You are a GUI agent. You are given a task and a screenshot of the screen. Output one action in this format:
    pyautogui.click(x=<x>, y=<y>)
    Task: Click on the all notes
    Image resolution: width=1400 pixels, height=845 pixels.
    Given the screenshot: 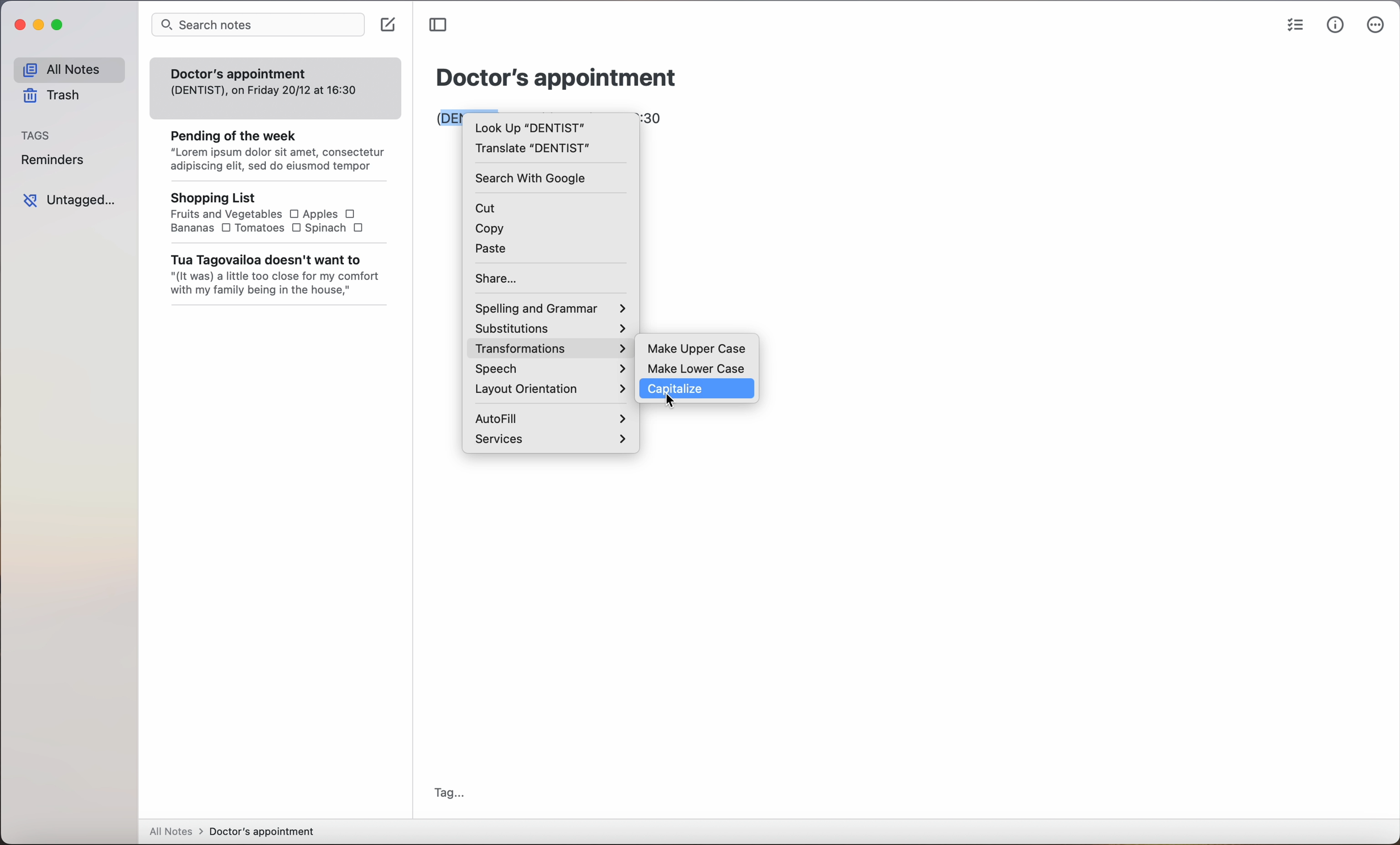 What is the action you would take?
    pyautogui.click(x=69, y=66)
    